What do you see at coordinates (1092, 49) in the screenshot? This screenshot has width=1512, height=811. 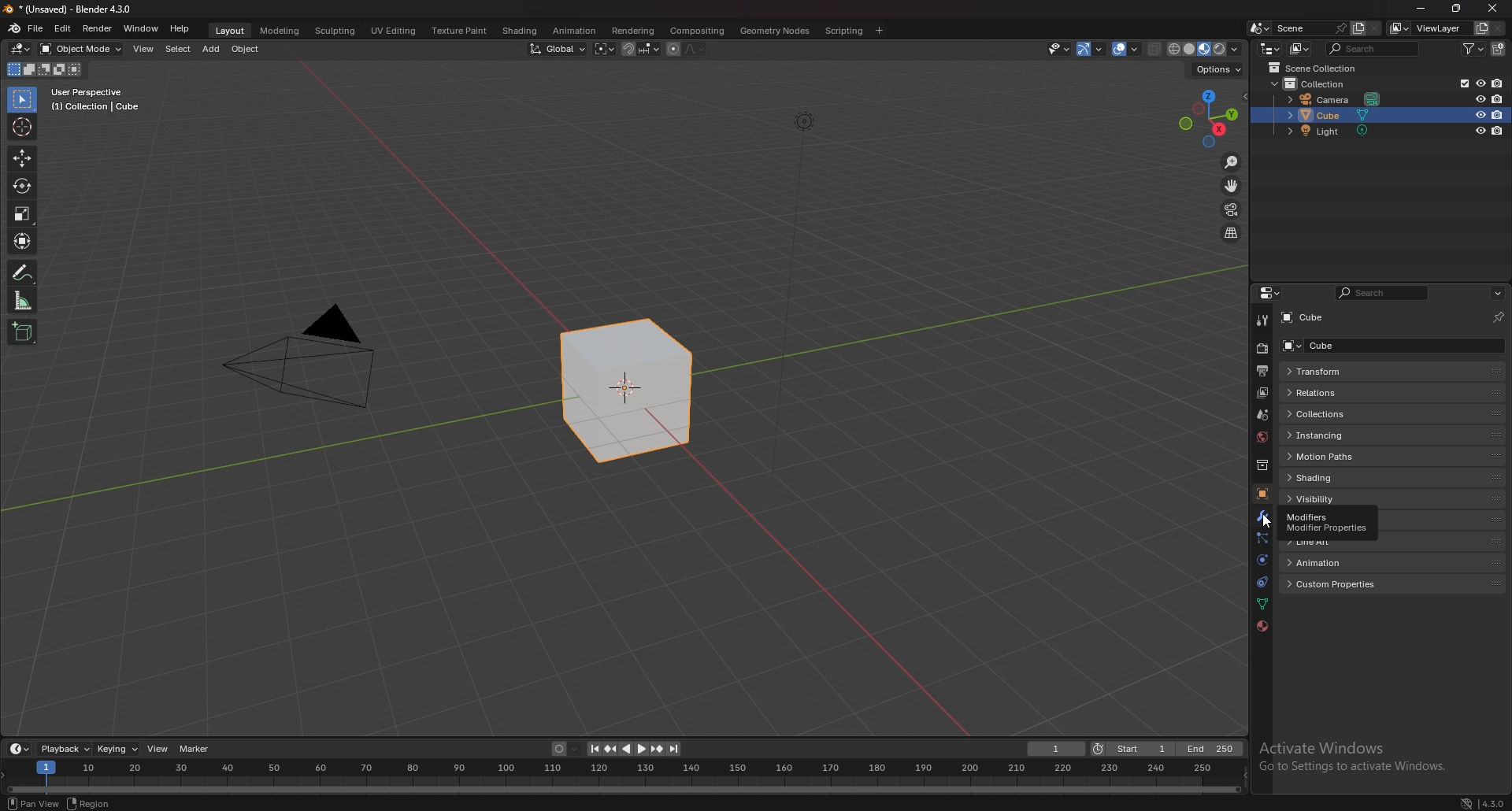 I see `gizmo` at bounding box center [1092, 49].